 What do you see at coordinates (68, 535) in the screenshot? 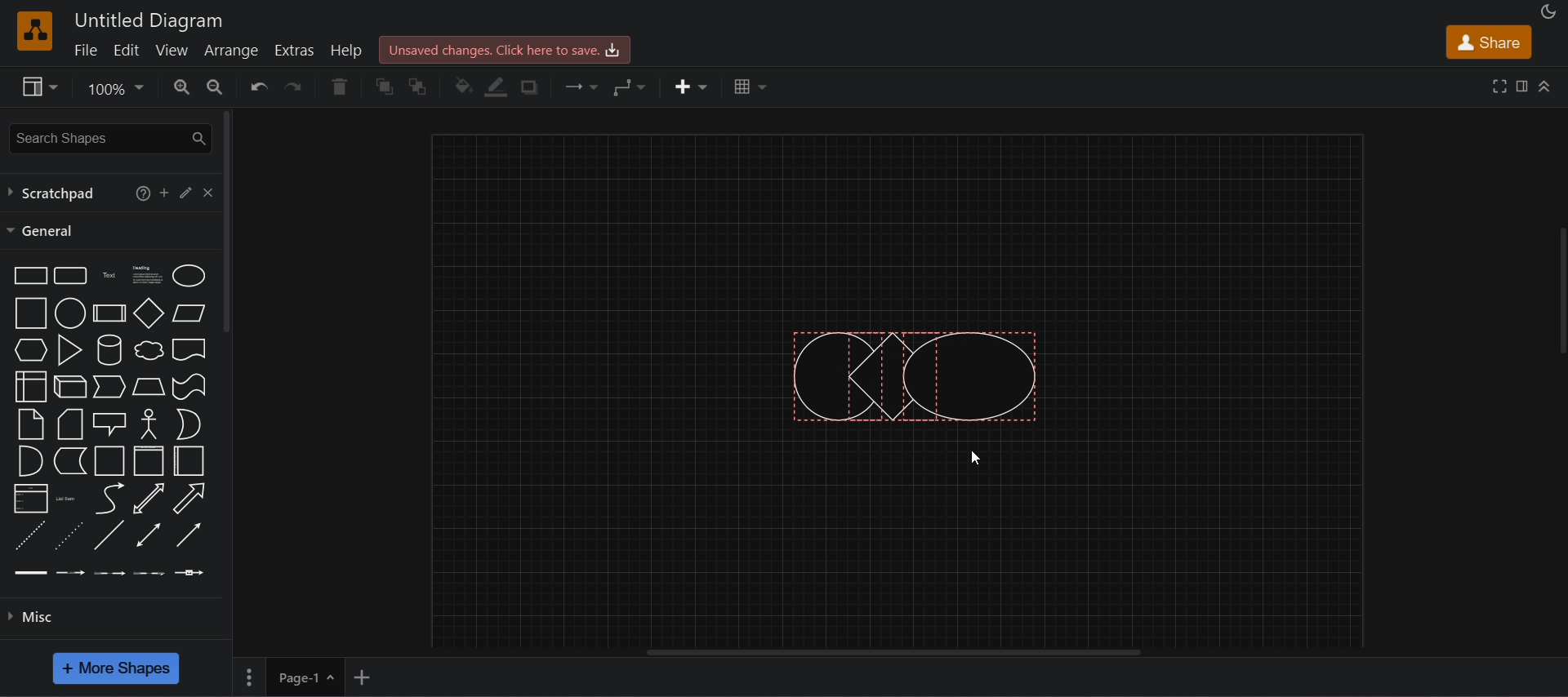
I see `dotted line` at bounding box center [68, 535].